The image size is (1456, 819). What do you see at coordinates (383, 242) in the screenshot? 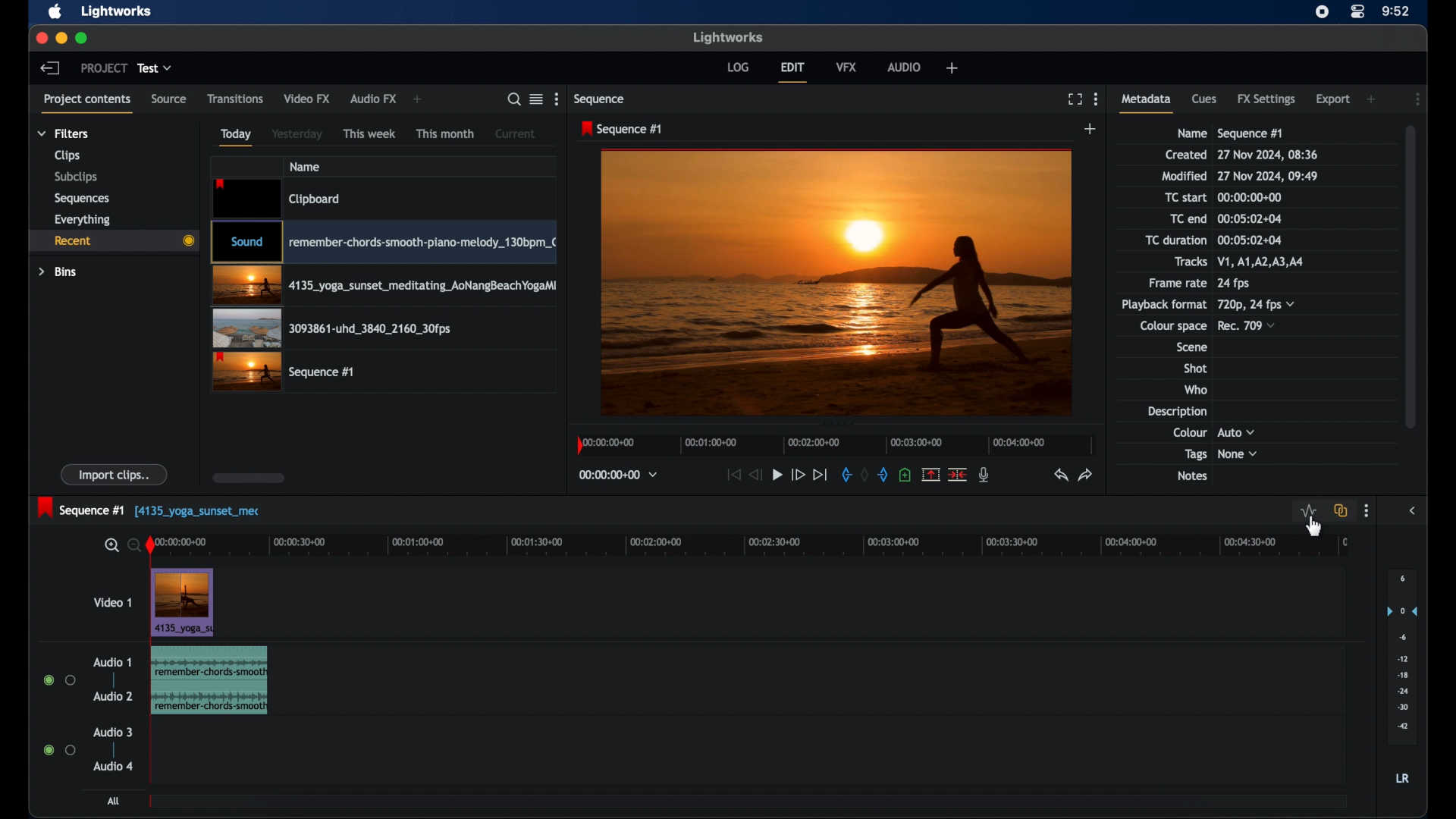
I see `video clip` at bounding box center [383, 242].